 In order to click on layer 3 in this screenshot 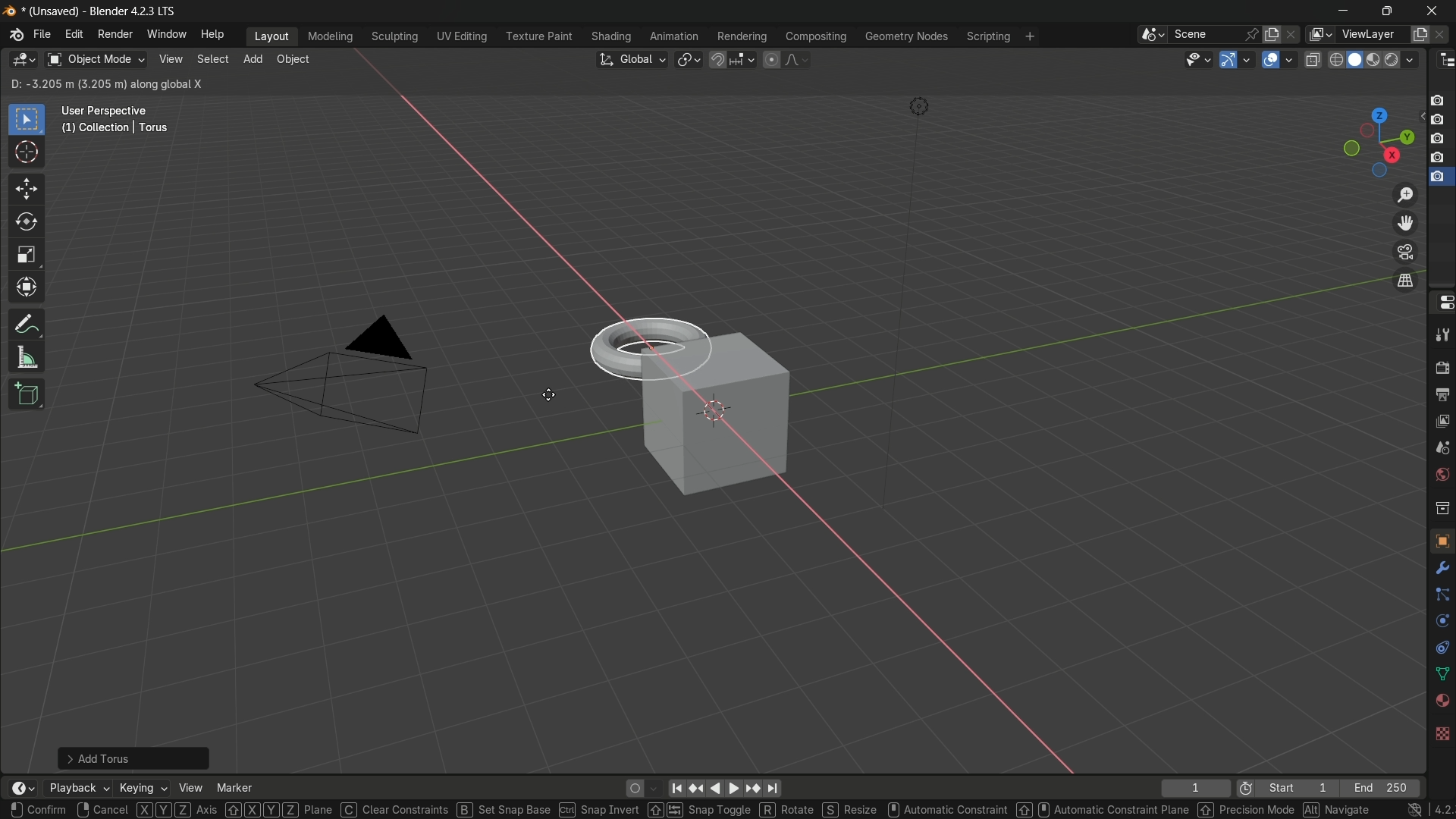, I will do `click(1437, 139)`.